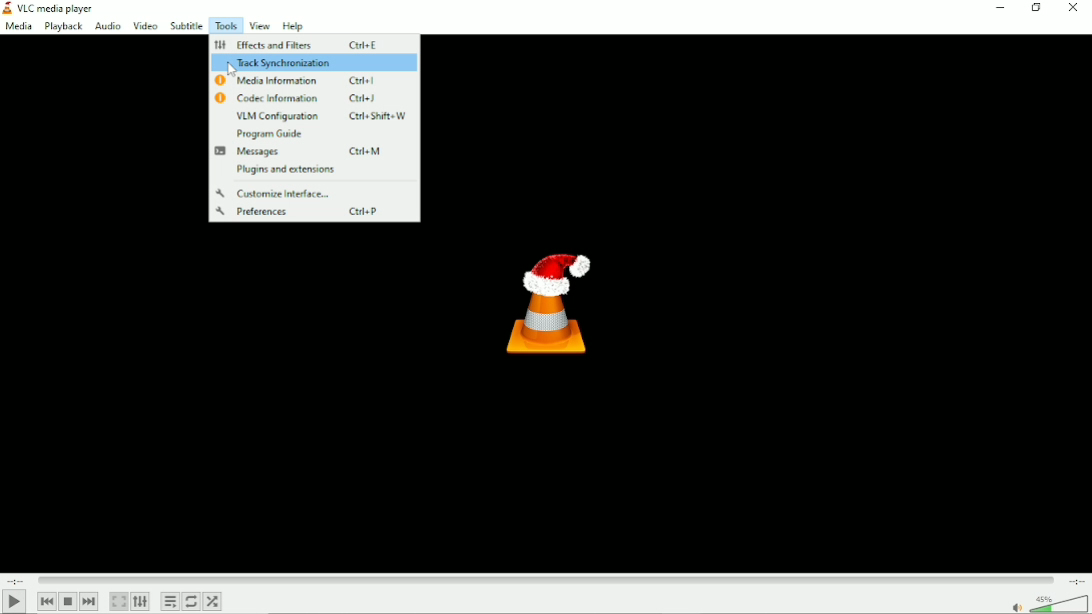  What do you see at coordinates (311, 98) in the screenshot?
I see `Codec information` at bounding box center [311, 98].